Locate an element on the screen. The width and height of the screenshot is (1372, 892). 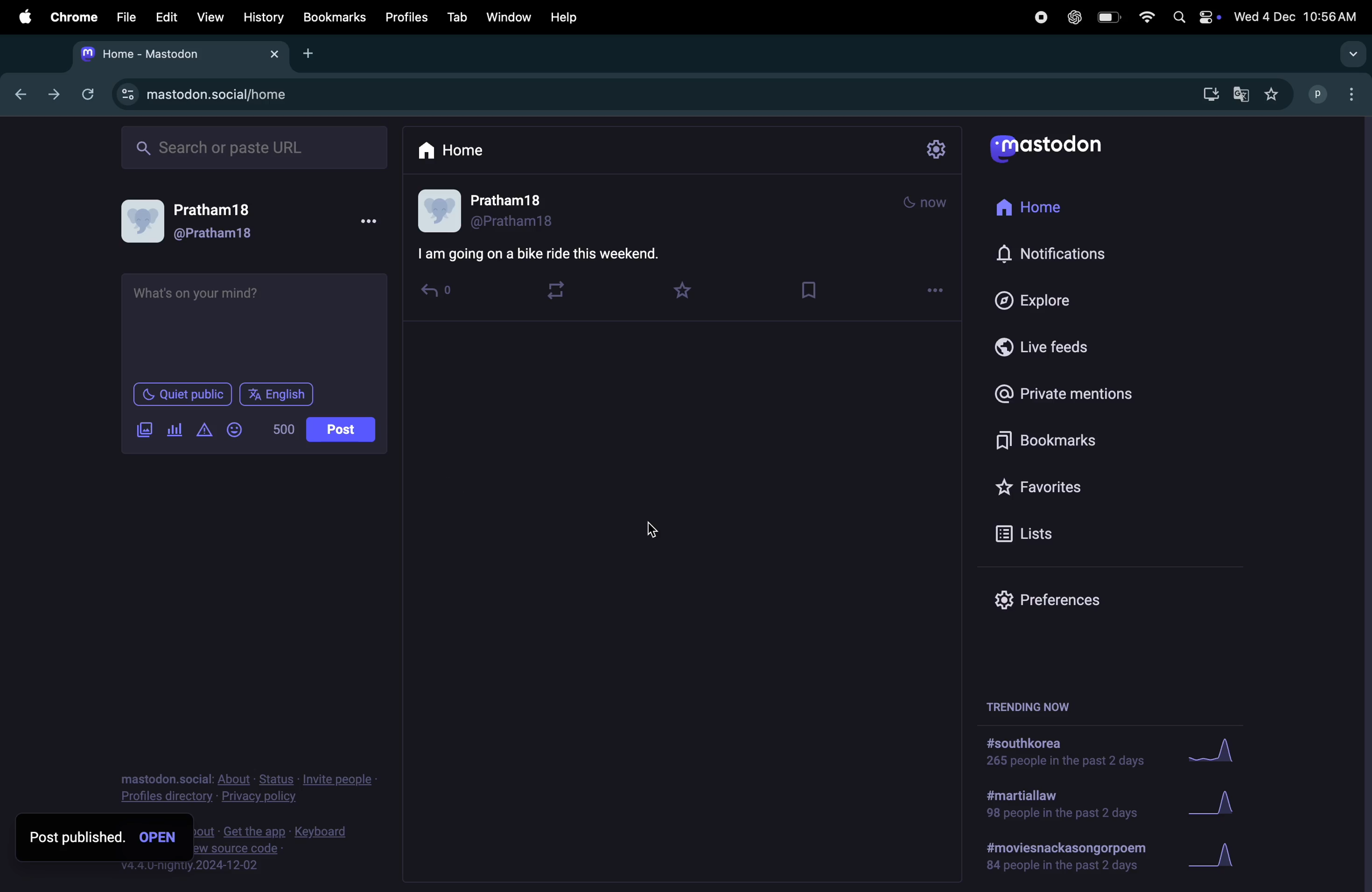
Graph is located at coordinates (1219, 802).